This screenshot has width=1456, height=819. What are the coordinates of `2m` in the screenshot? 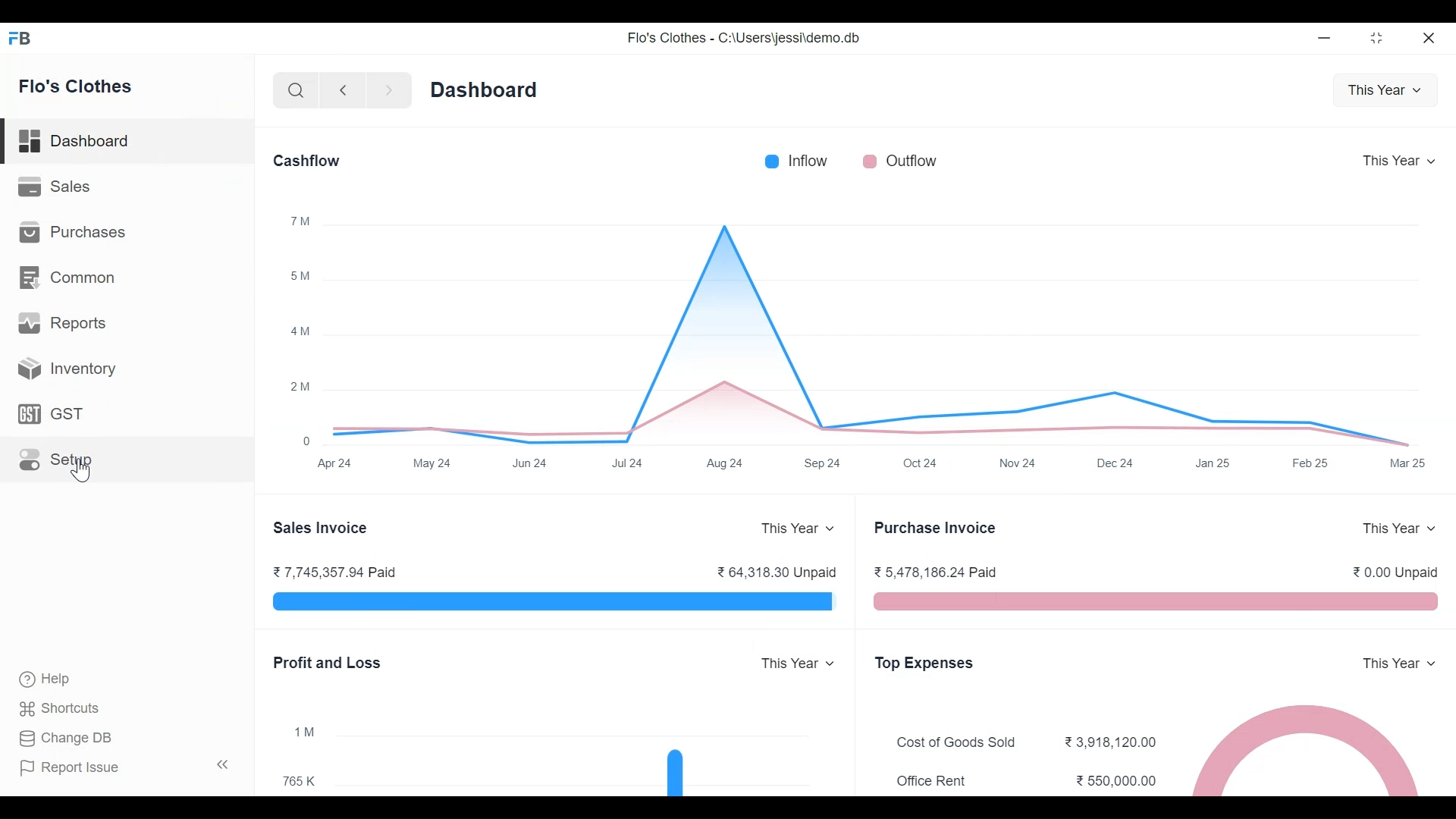 It's located at (299, 389).